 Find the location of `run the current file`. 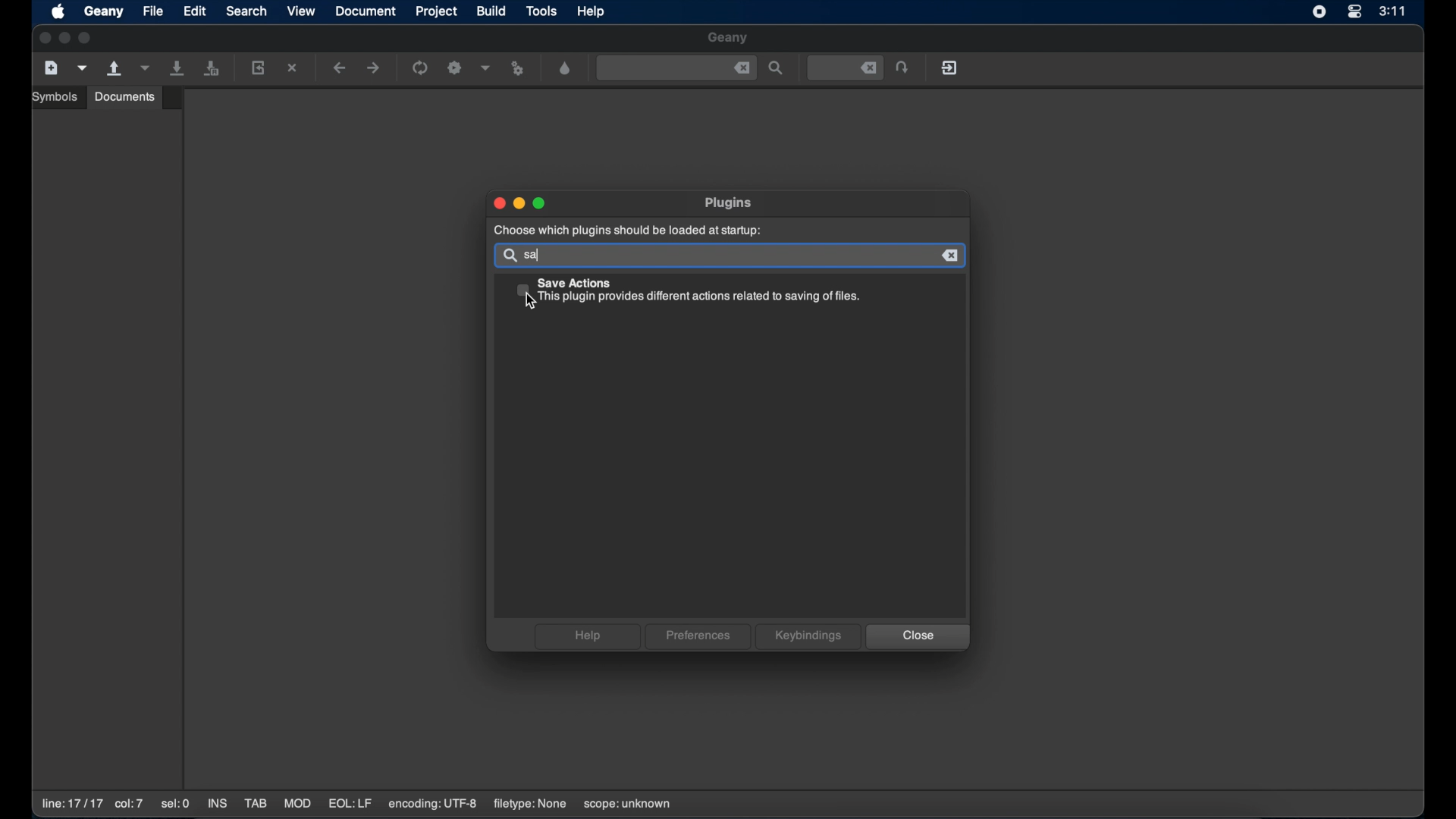

run the current file is located at coordinates (421, 68).